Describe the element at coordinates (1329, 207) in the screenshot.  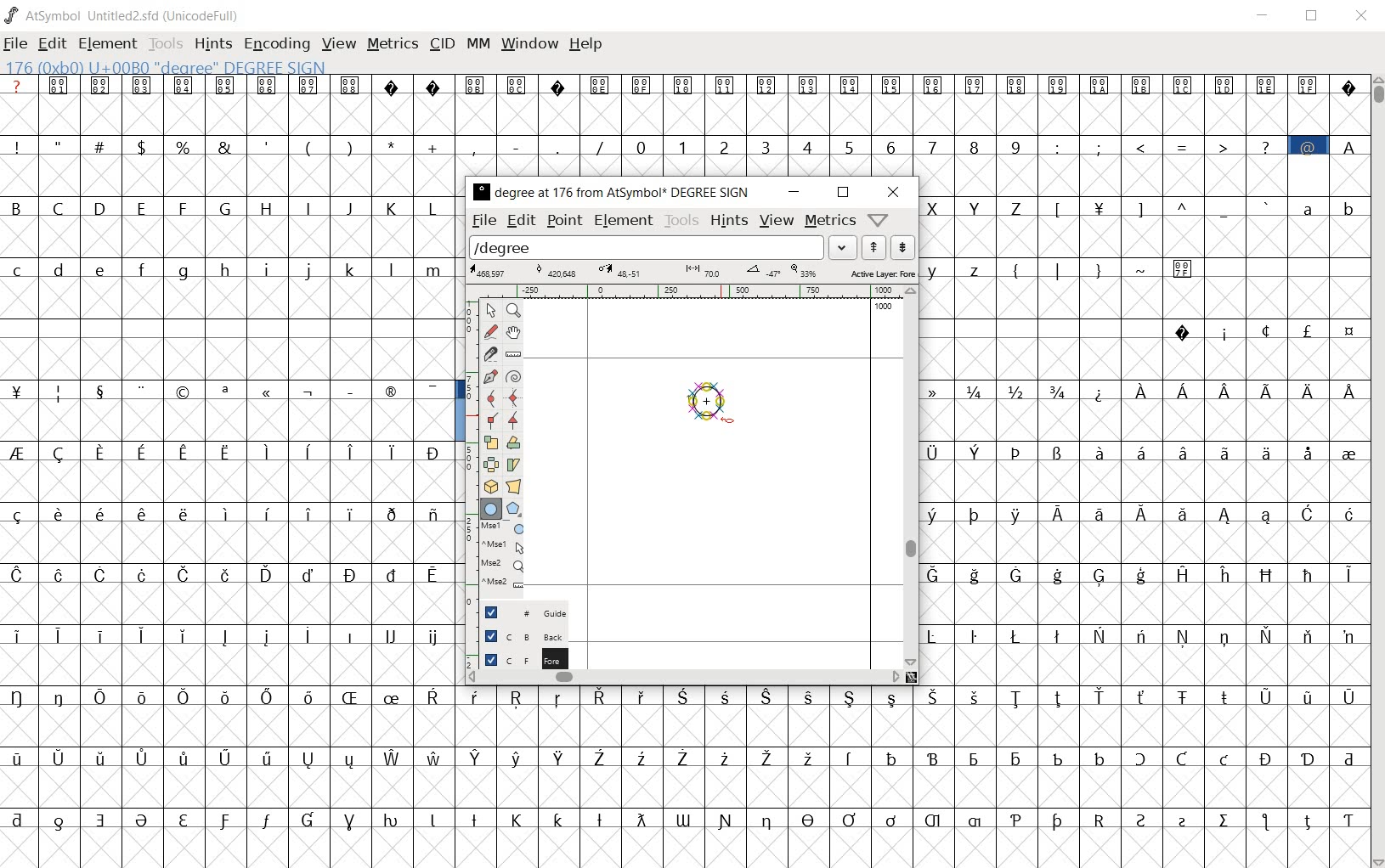
I see `small letters a b` at that location.